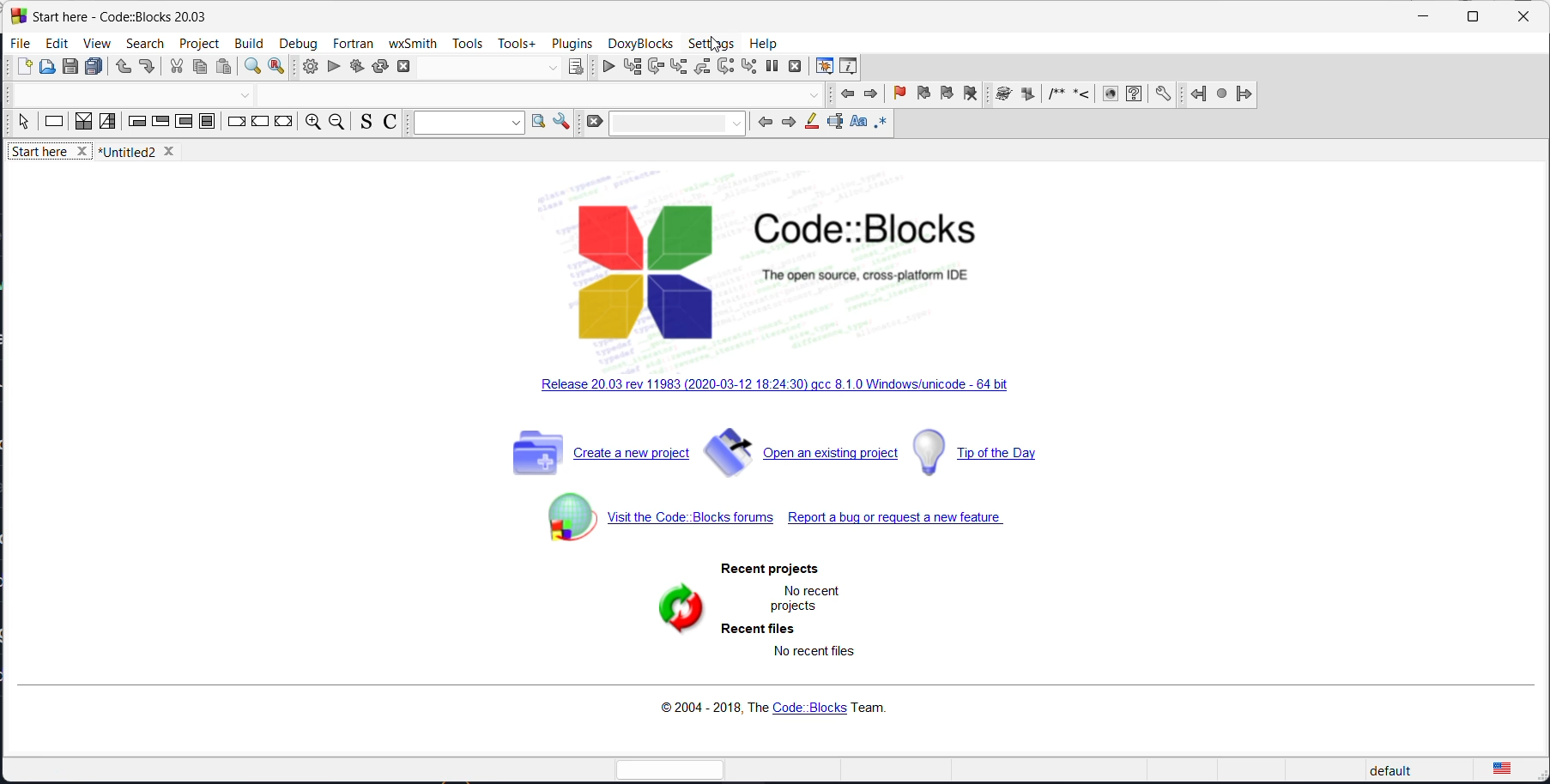 This screenshot has height=784, width=1550. Describe the element at coordinates (517, 44) in the screenshot. I see `tools plus` at that location.